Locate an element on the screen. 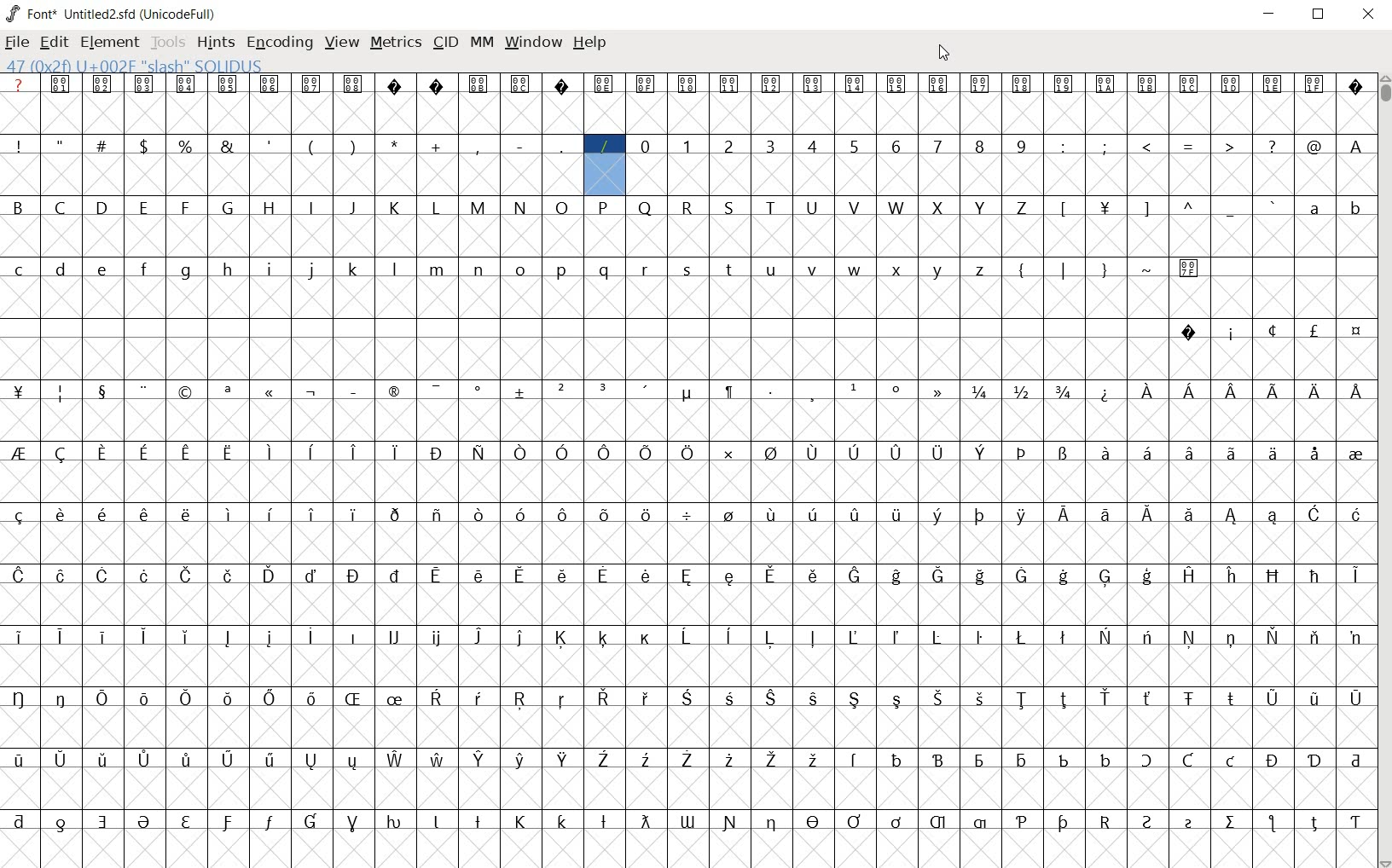  glyph is located at coordinates (604, 270).